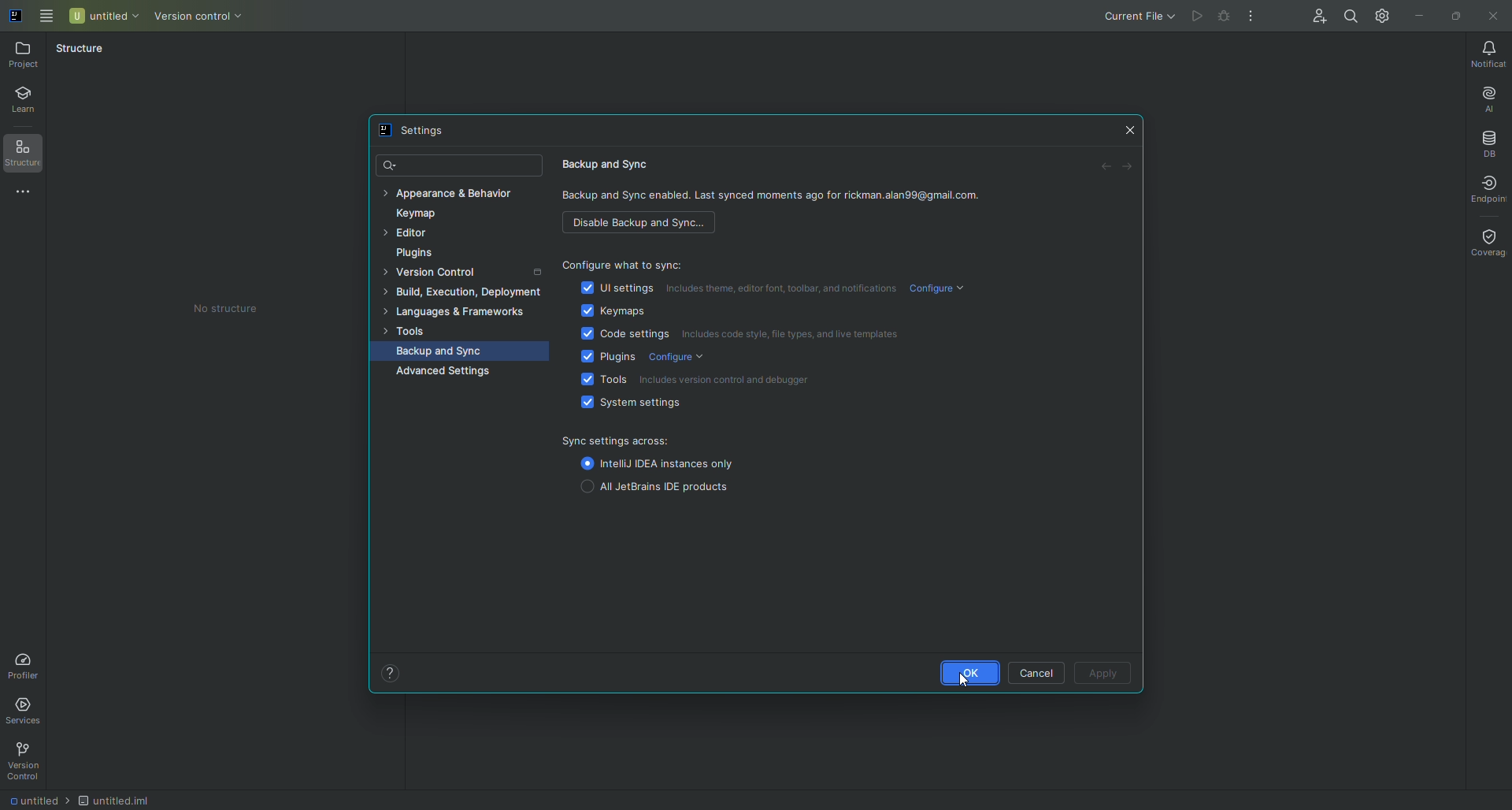 Image resolution: width=1512 pixels, height=810 pixels. What do you see at coordinates (1454, 14) in the screenshot?
I see `Restore` at bounding box center [1454, 14].